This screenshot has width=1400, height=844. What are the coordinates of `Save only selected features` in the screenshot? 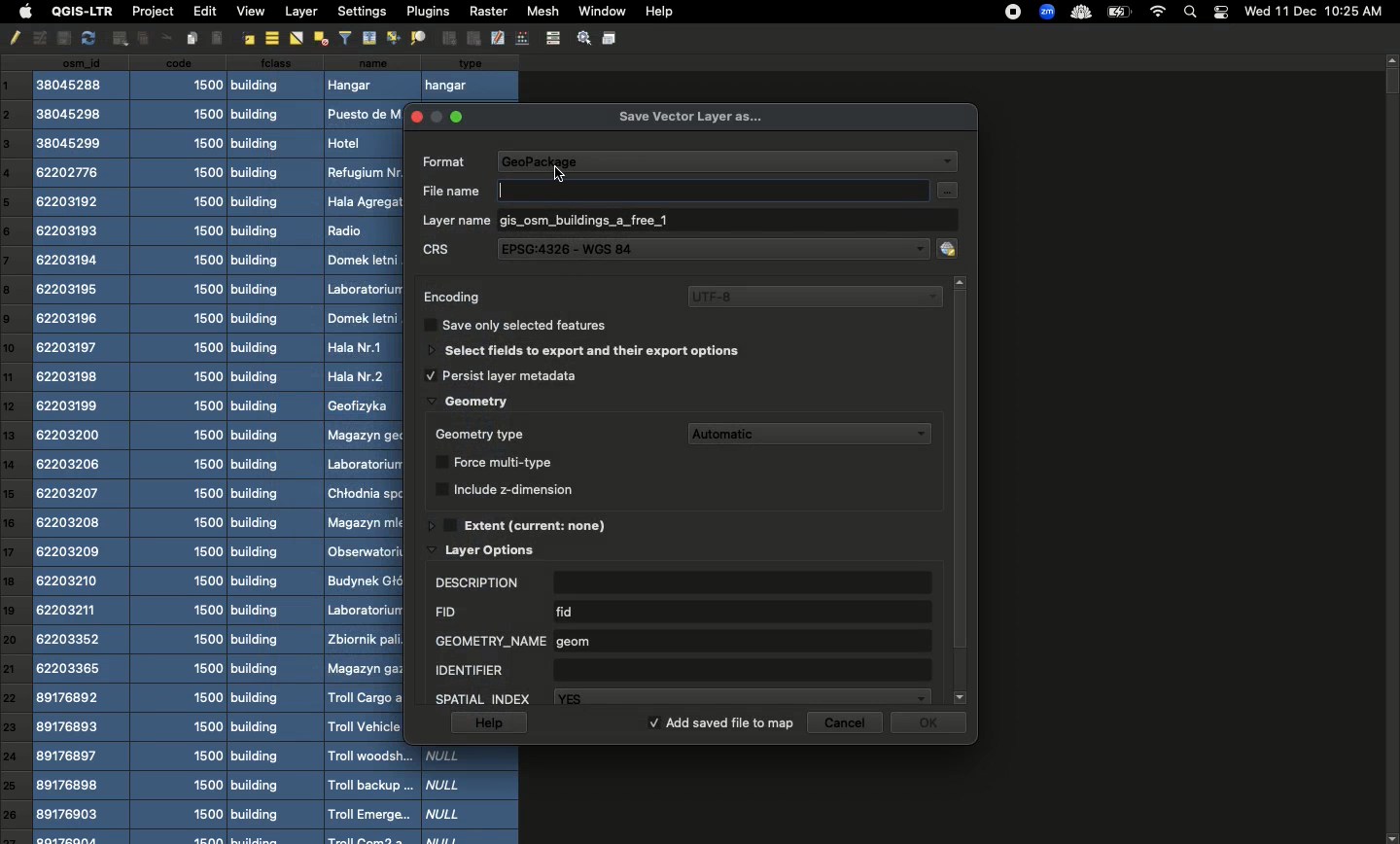 It's located at (537, 327).